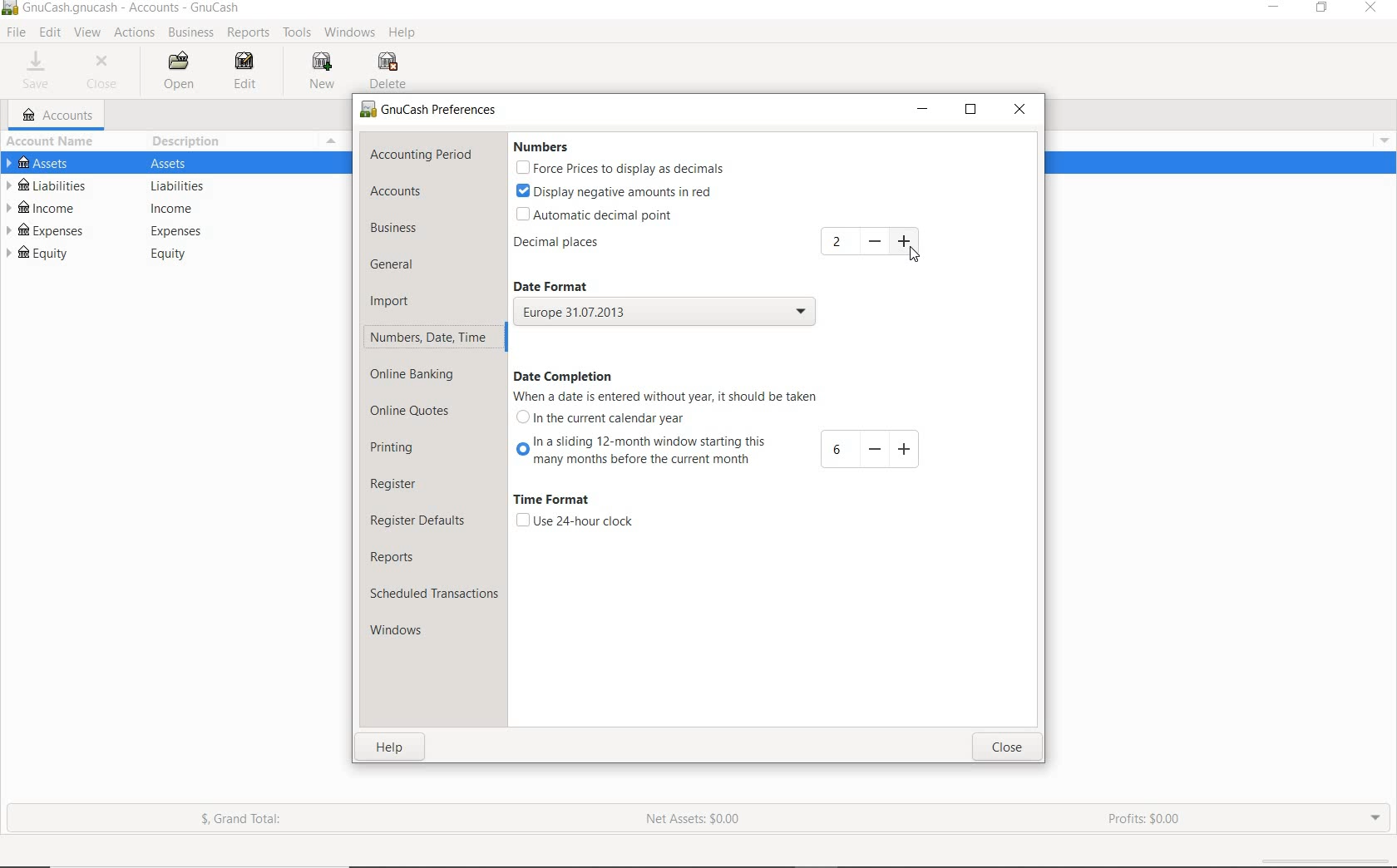 The image size is (1397, 868). What do you see at coordinates (177, 230) in the screenshot?
I see `EXPENSES` at bounding box center [177, 230].